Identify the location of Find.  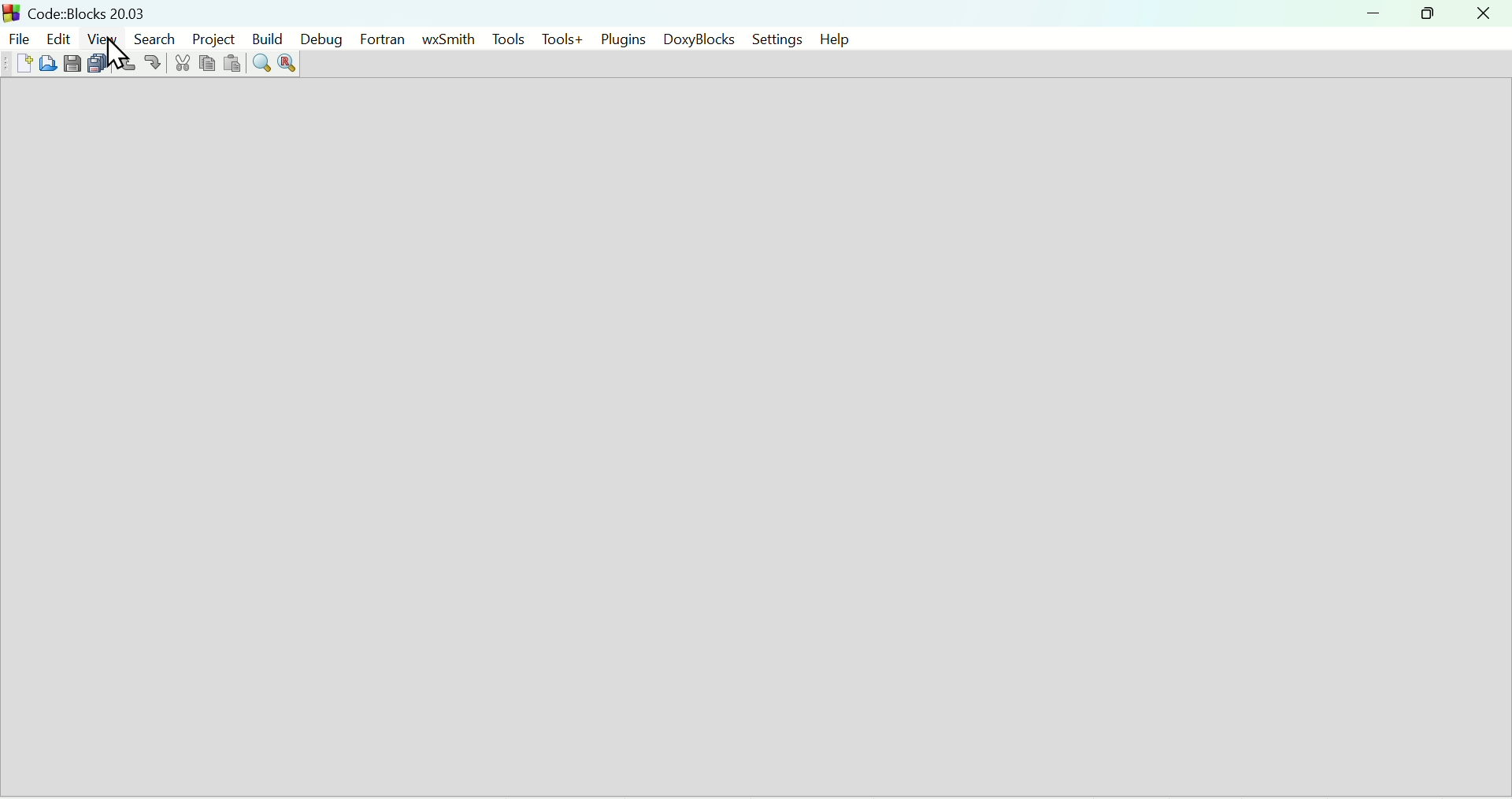
(261, 64).